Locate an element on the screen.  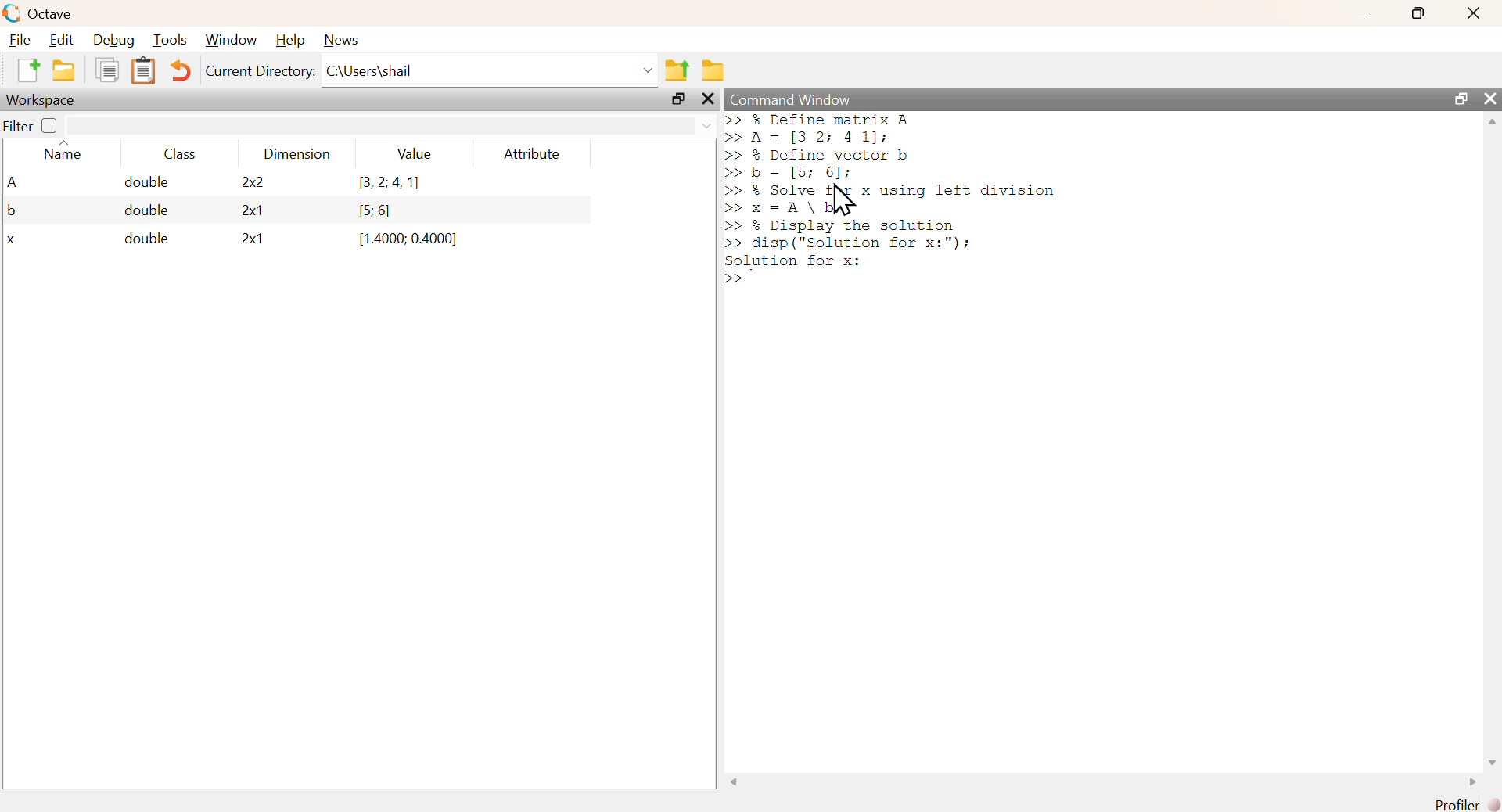
close is located at coordinates (706, 100).